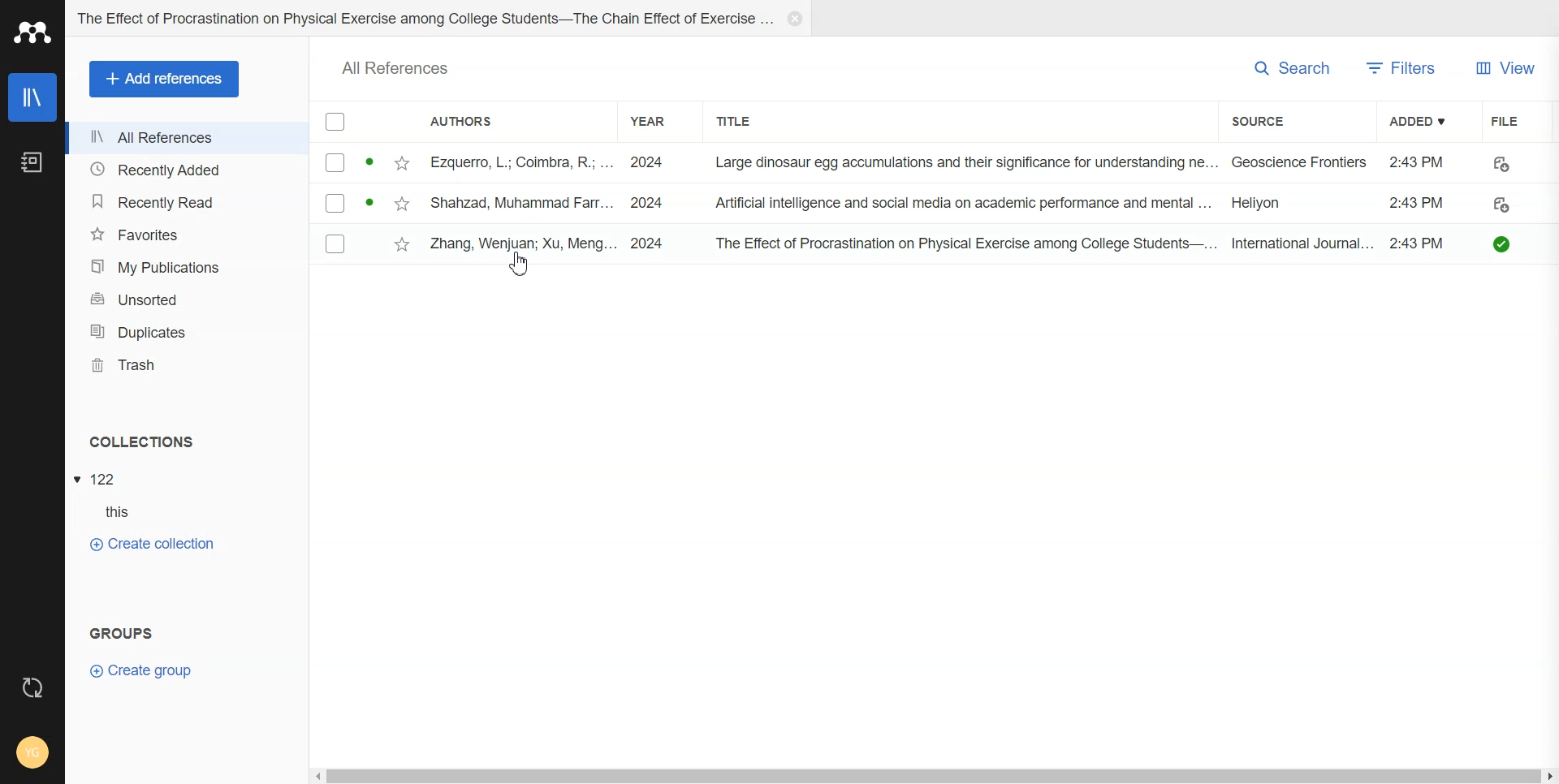  I want to click on Active, so click(371, 200).